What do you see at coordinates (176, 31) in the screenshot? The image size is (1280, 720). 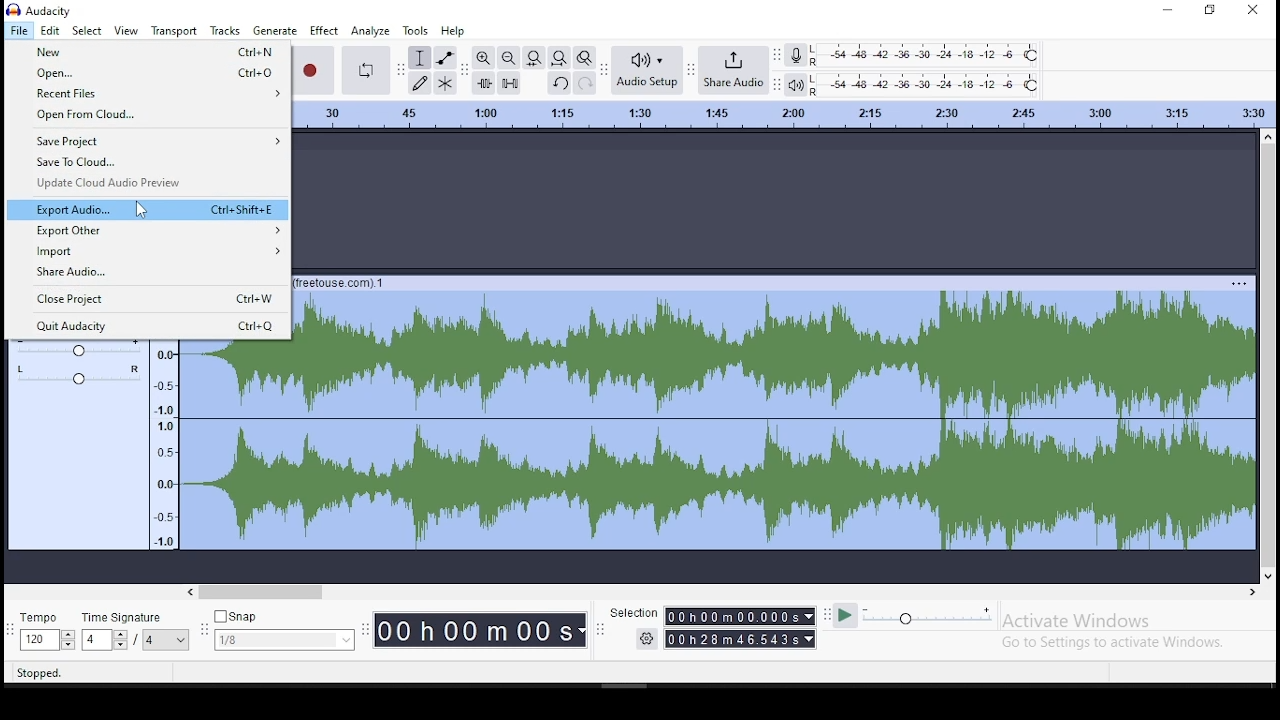 I see `transport` at bounding box center [176, 31].